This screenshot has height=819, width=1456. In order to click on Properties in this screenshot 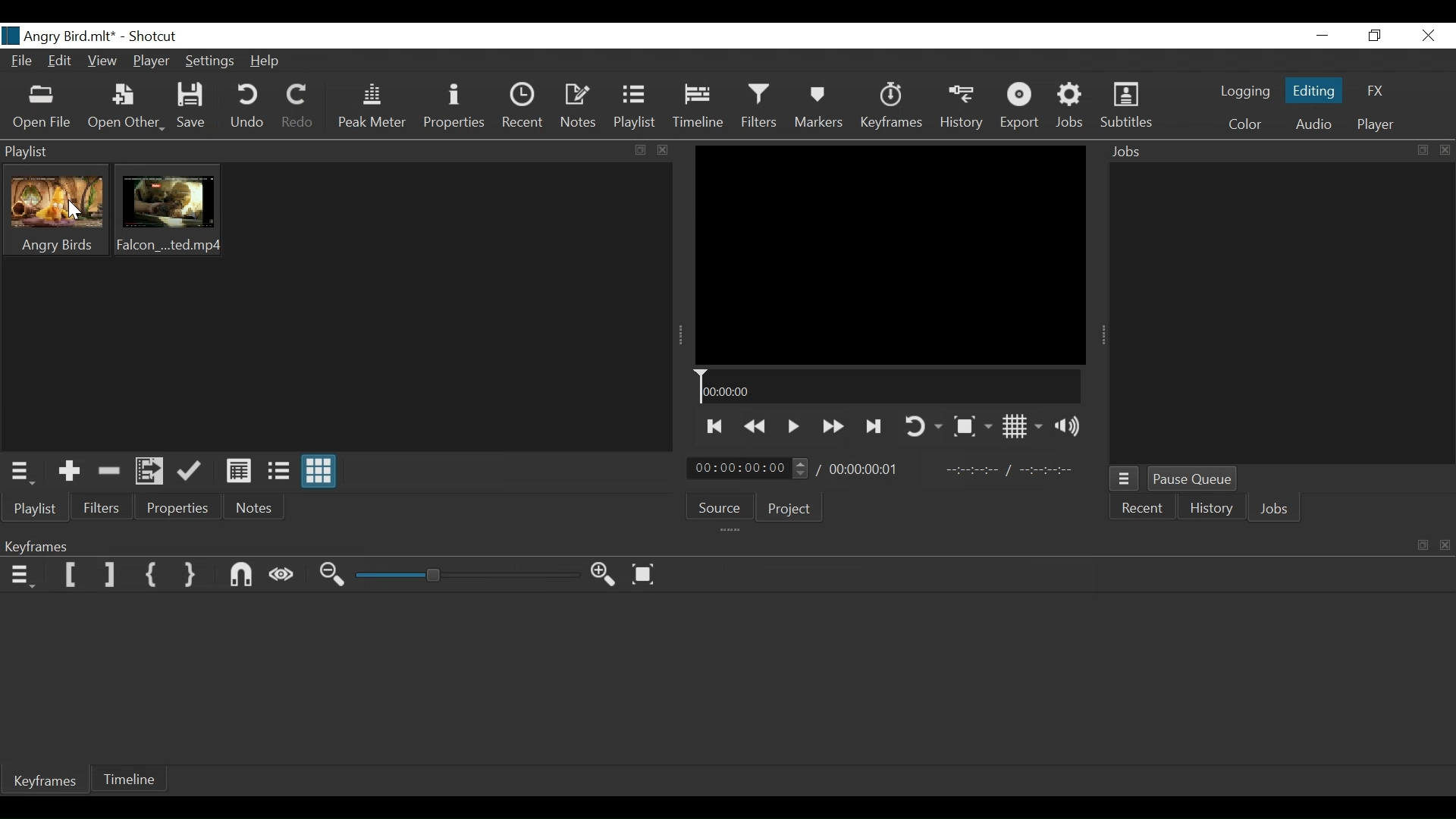, I will do `click(453, 108)`.